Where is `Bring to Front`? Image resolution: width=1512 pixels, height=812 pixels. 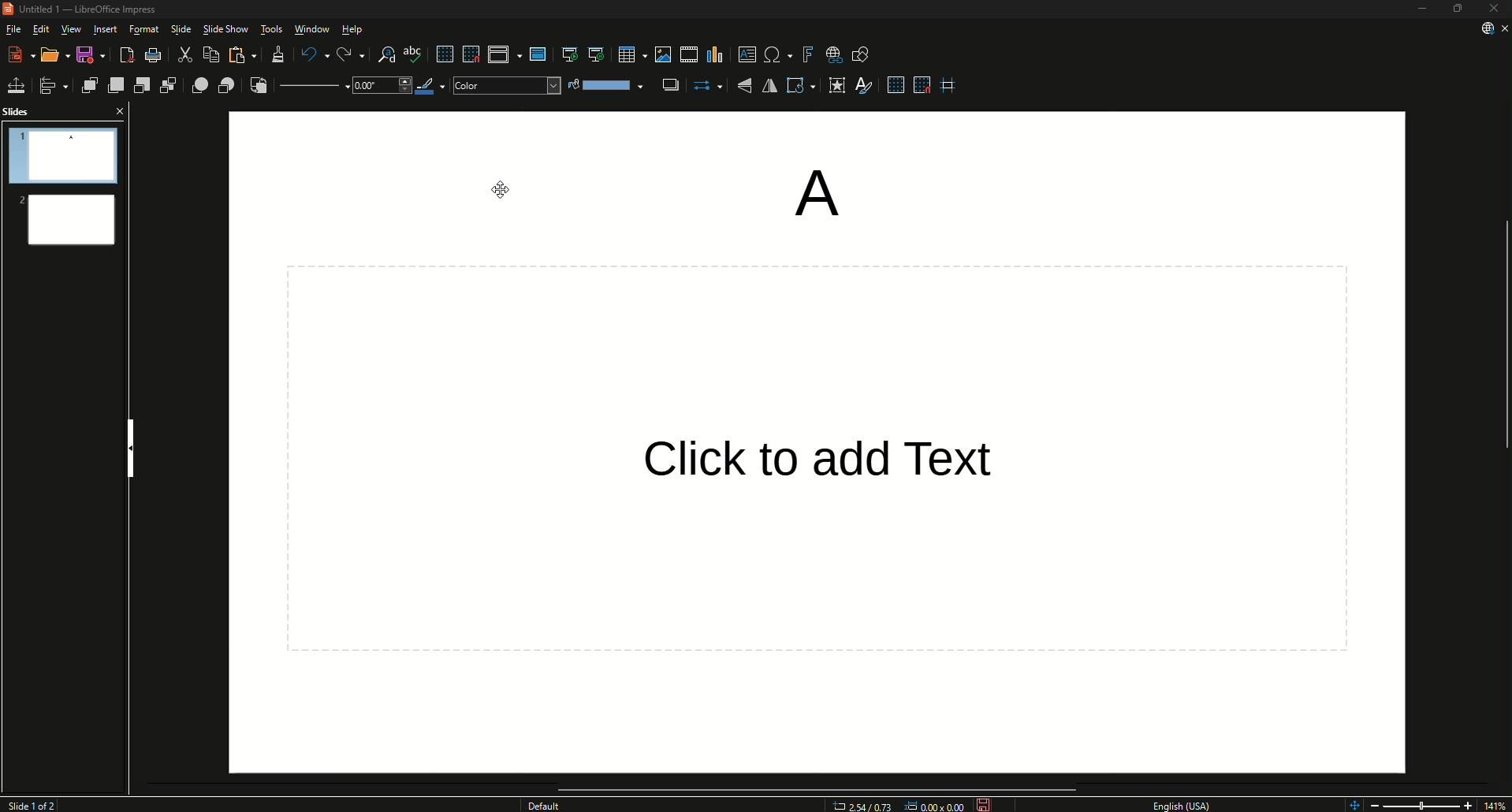
Bring to Front is located at coordinates (87, 85).